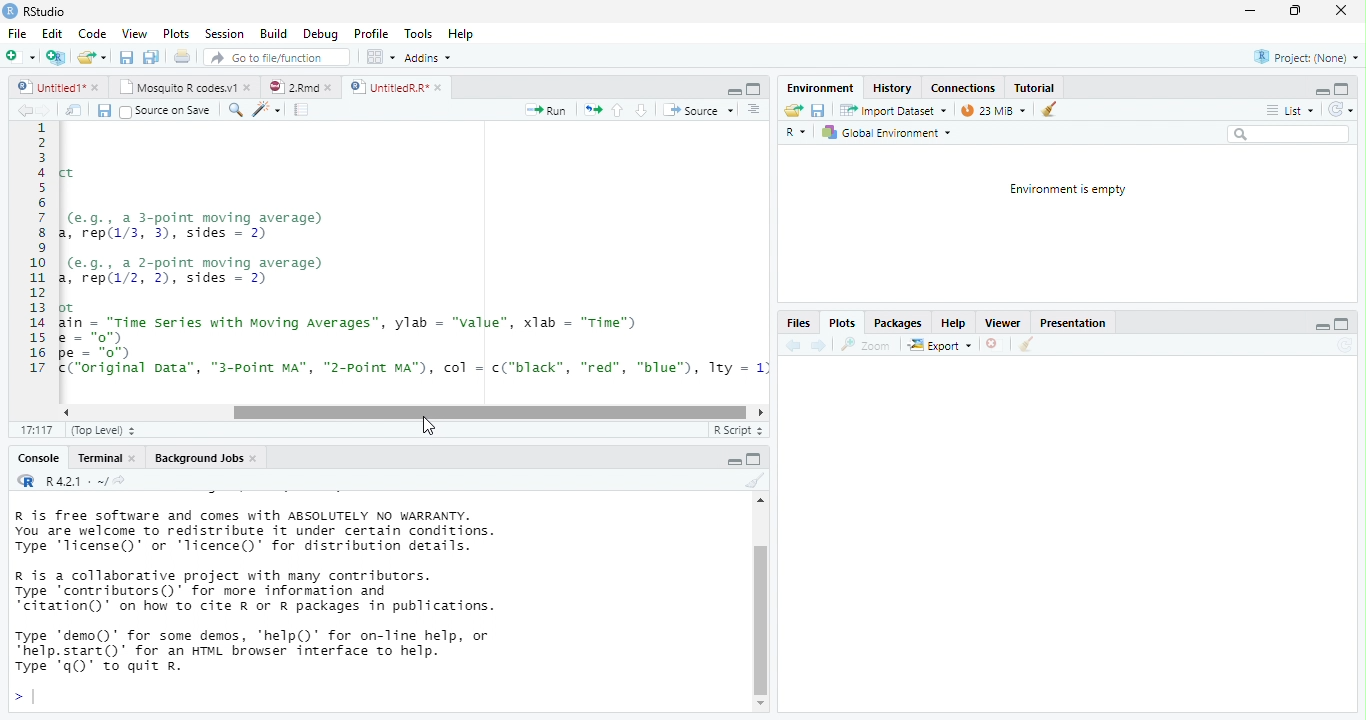  Describe the element at coordinates (23, 698) in the screenshot. I see `>` at that location.